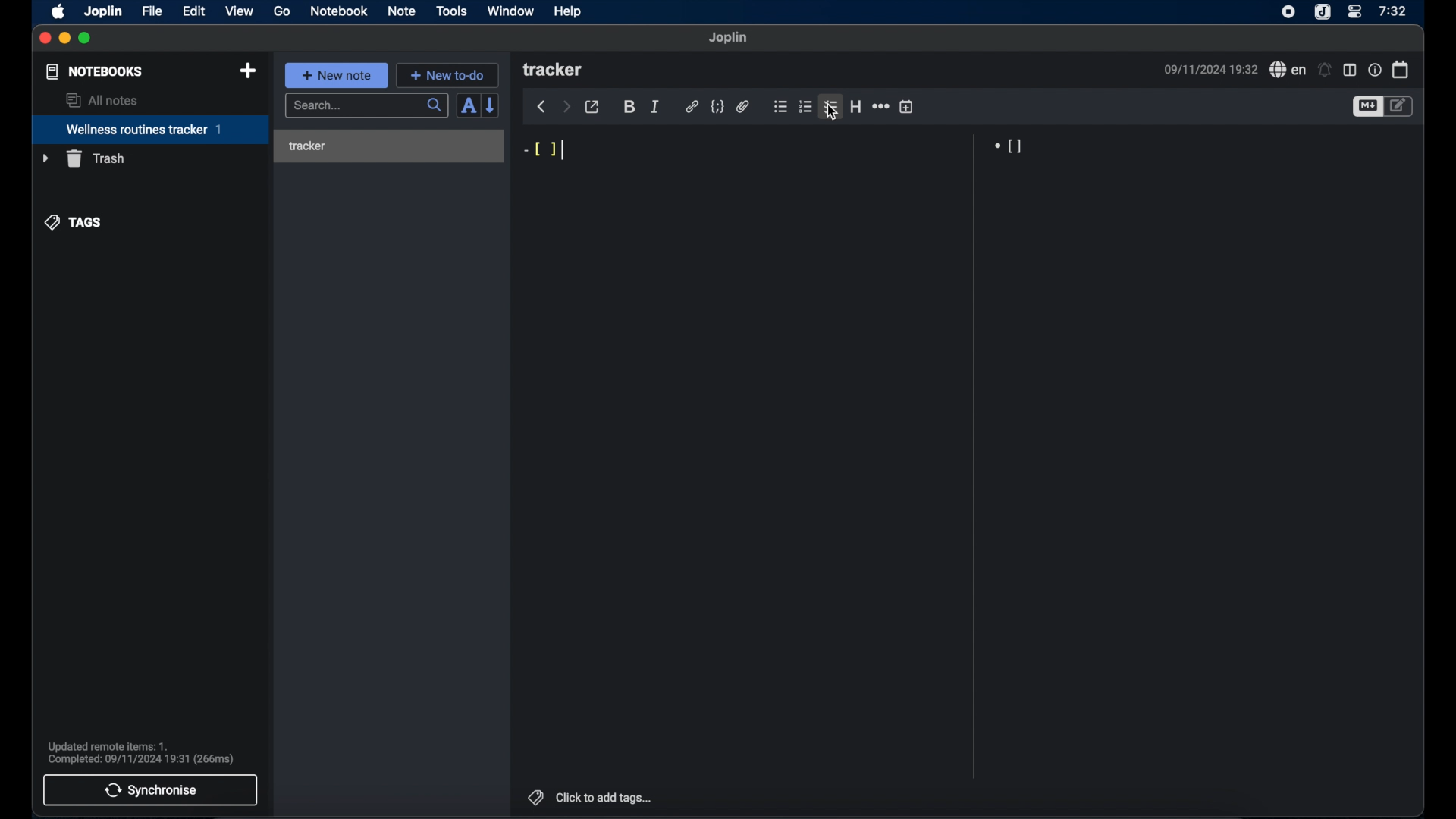  What do you see at coordinates (566, 106) in the screenshot?
I see `forward` at bounding box center [566, 106].